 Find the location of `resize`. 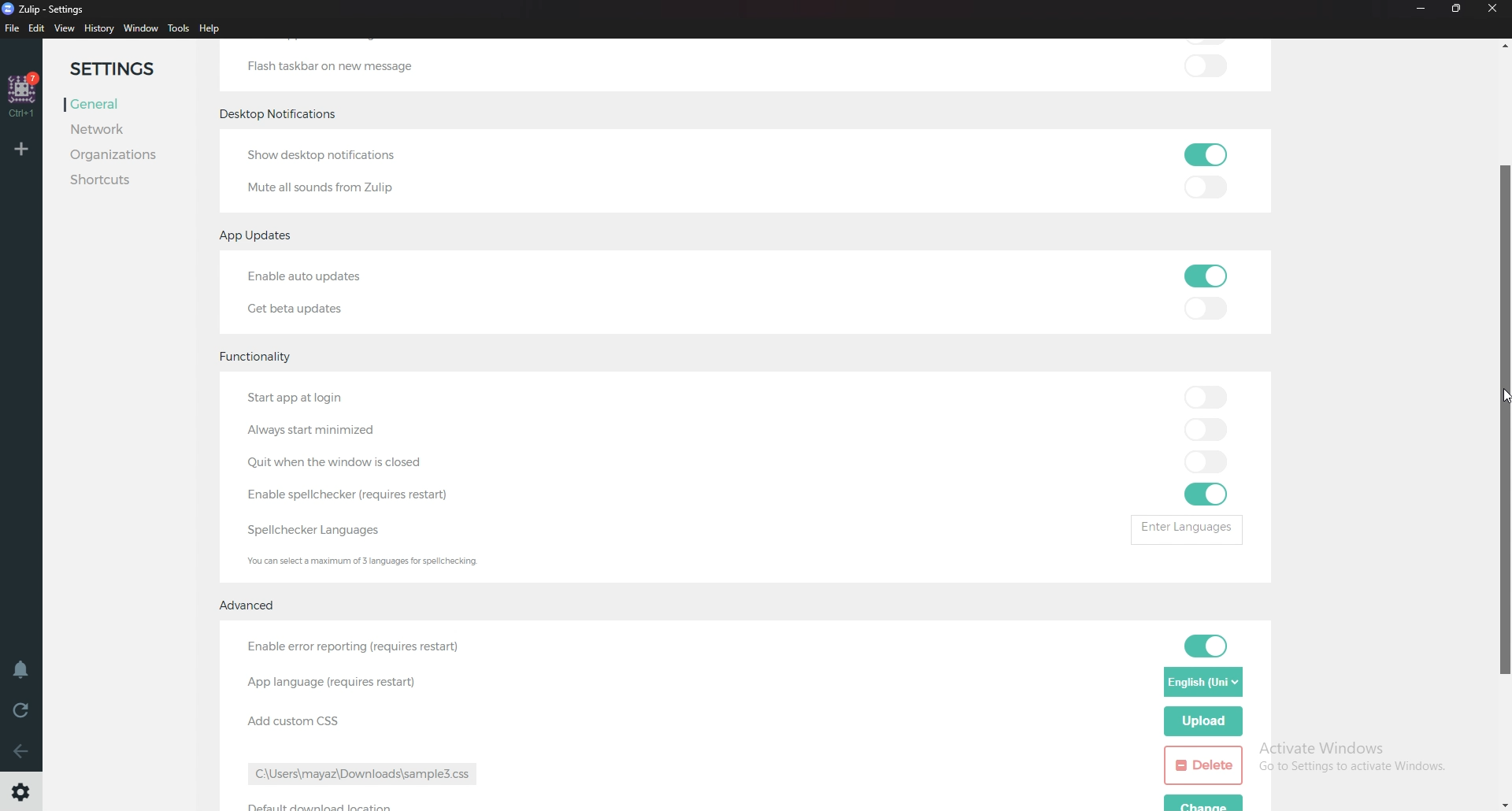

resize is located at coordinates (1457, 9).